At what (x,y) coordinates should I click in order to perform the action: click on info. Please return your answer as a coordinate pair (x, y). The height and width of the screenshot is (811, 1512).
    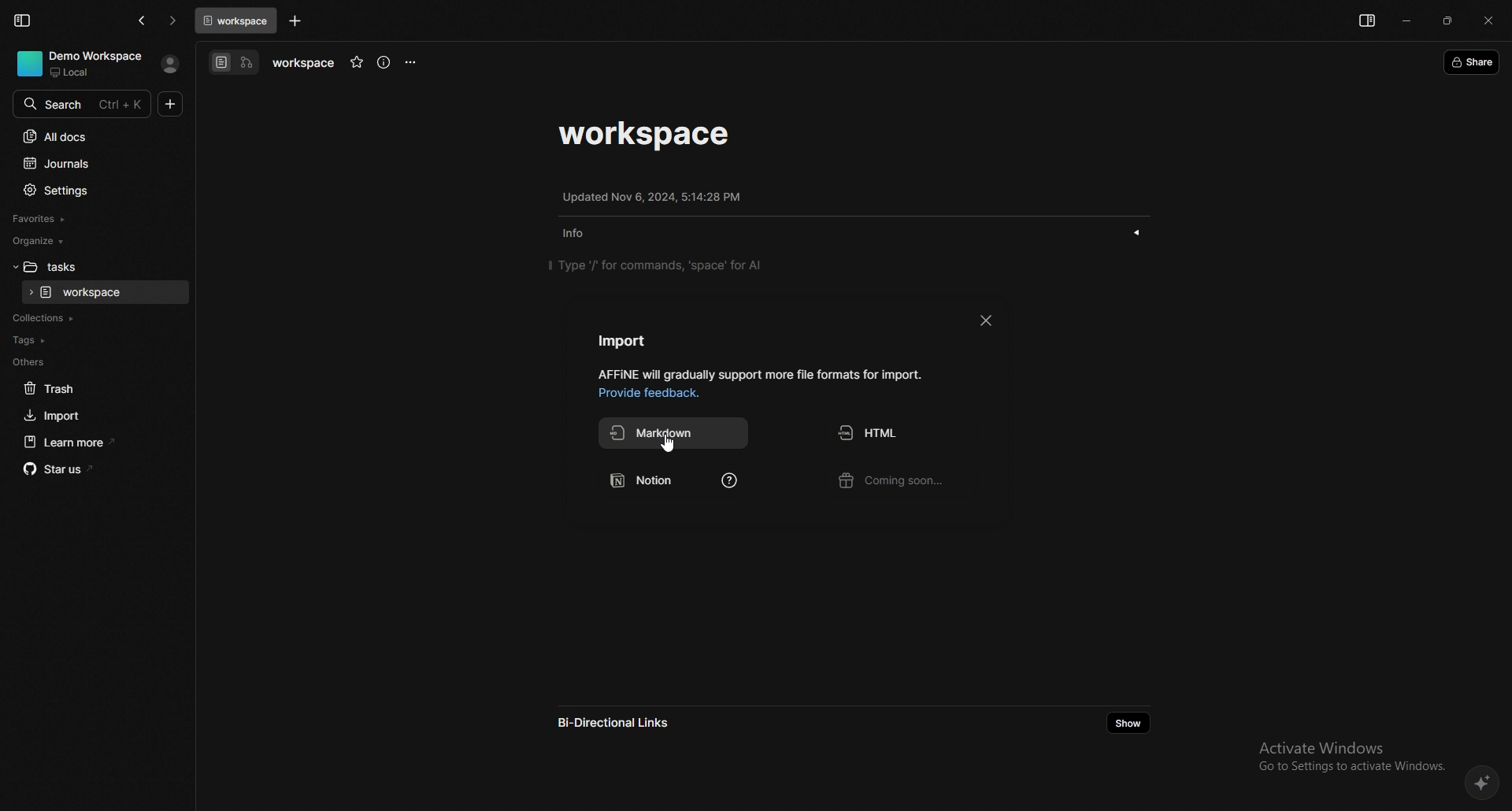
    Looking at the image, I should click on (580, 235).